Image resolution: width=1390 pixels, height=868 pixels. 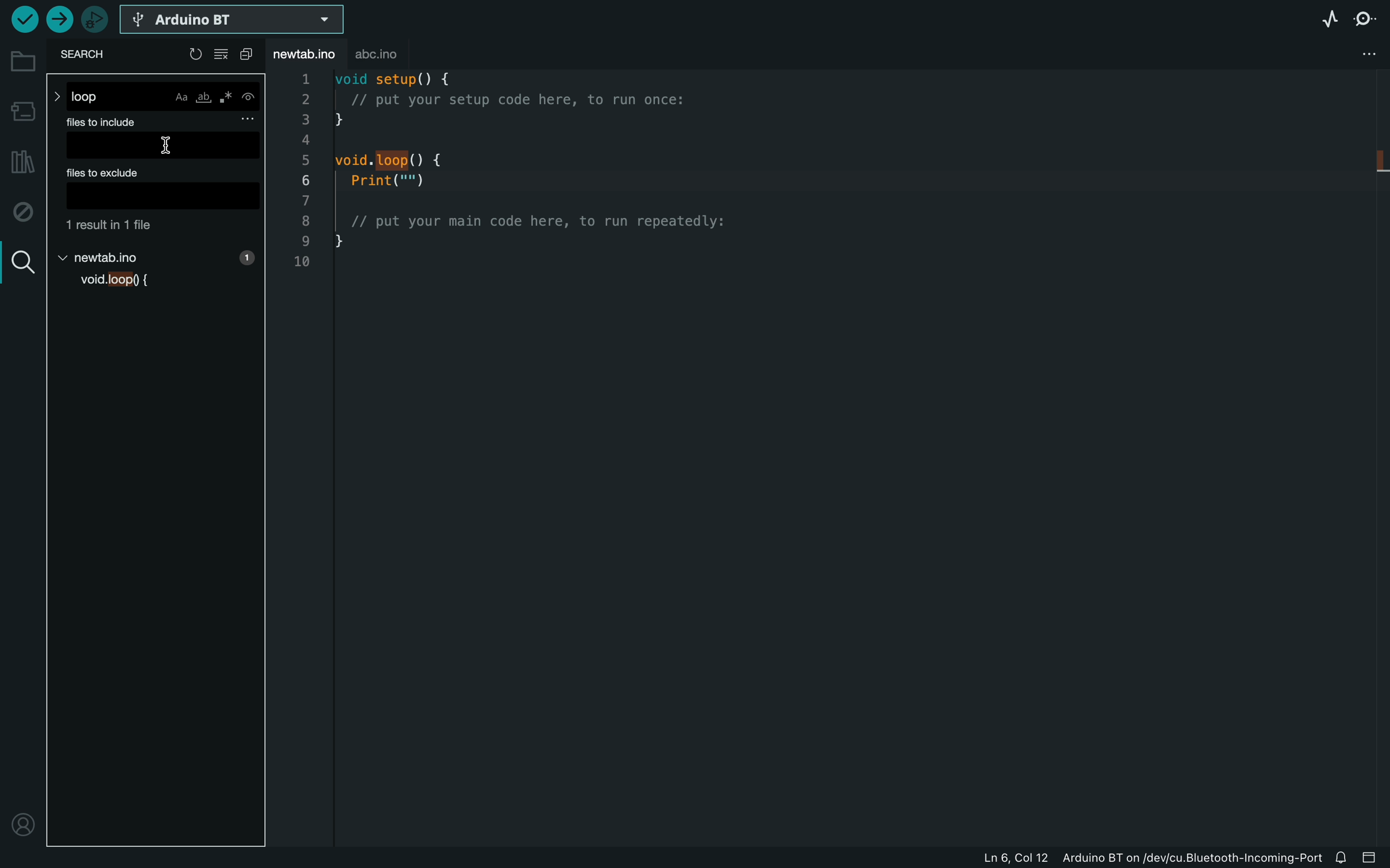 What do you see at coordinates (225, 55) in the screenshot?
I see `clear` at bounding box center [225, 55].